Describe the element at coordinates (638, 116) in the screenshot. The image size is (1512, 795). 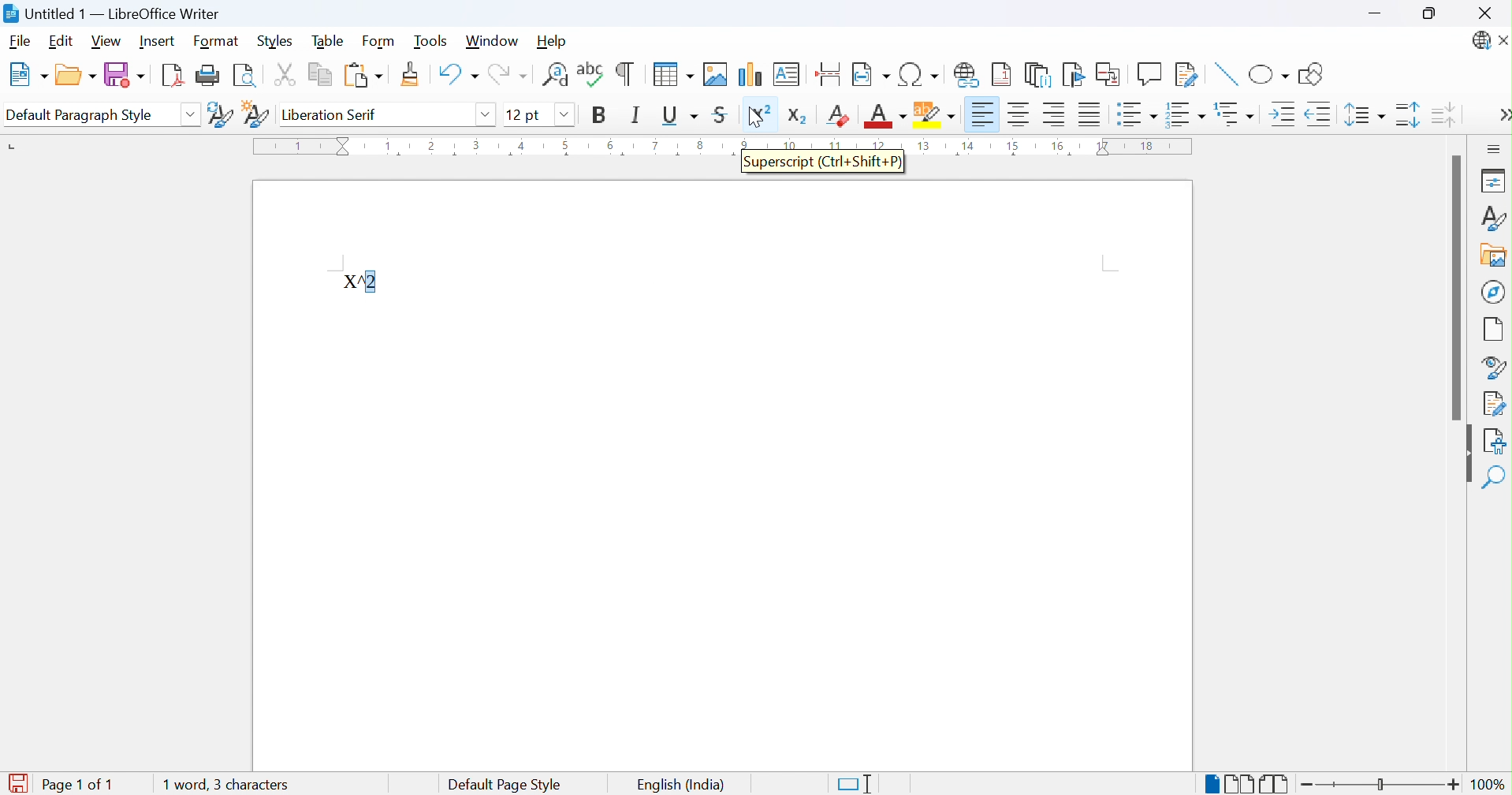
I see `Italic` at that location.